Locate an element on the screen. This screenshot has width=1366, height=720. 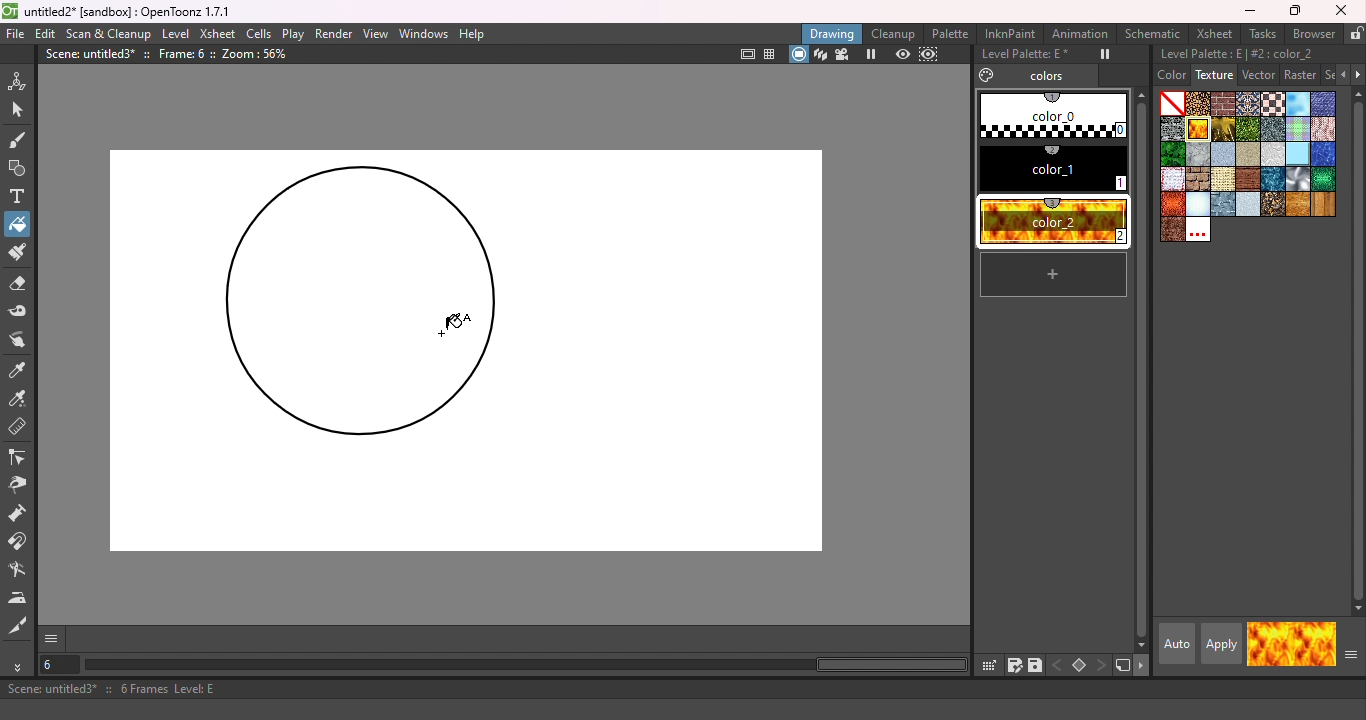
View is located at coordinates (376, 33).